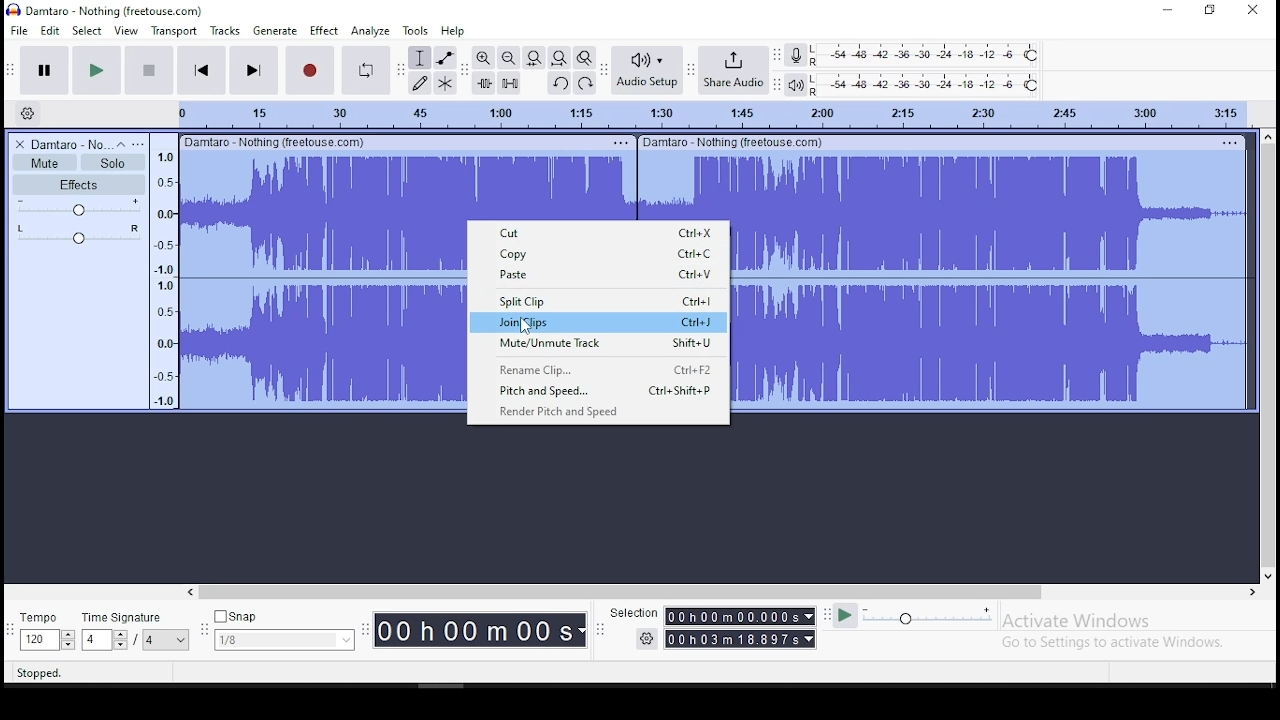 This screenshot has height=720, width=1280. I want to click on mute/unmute track shift+u, so click(597, 344).